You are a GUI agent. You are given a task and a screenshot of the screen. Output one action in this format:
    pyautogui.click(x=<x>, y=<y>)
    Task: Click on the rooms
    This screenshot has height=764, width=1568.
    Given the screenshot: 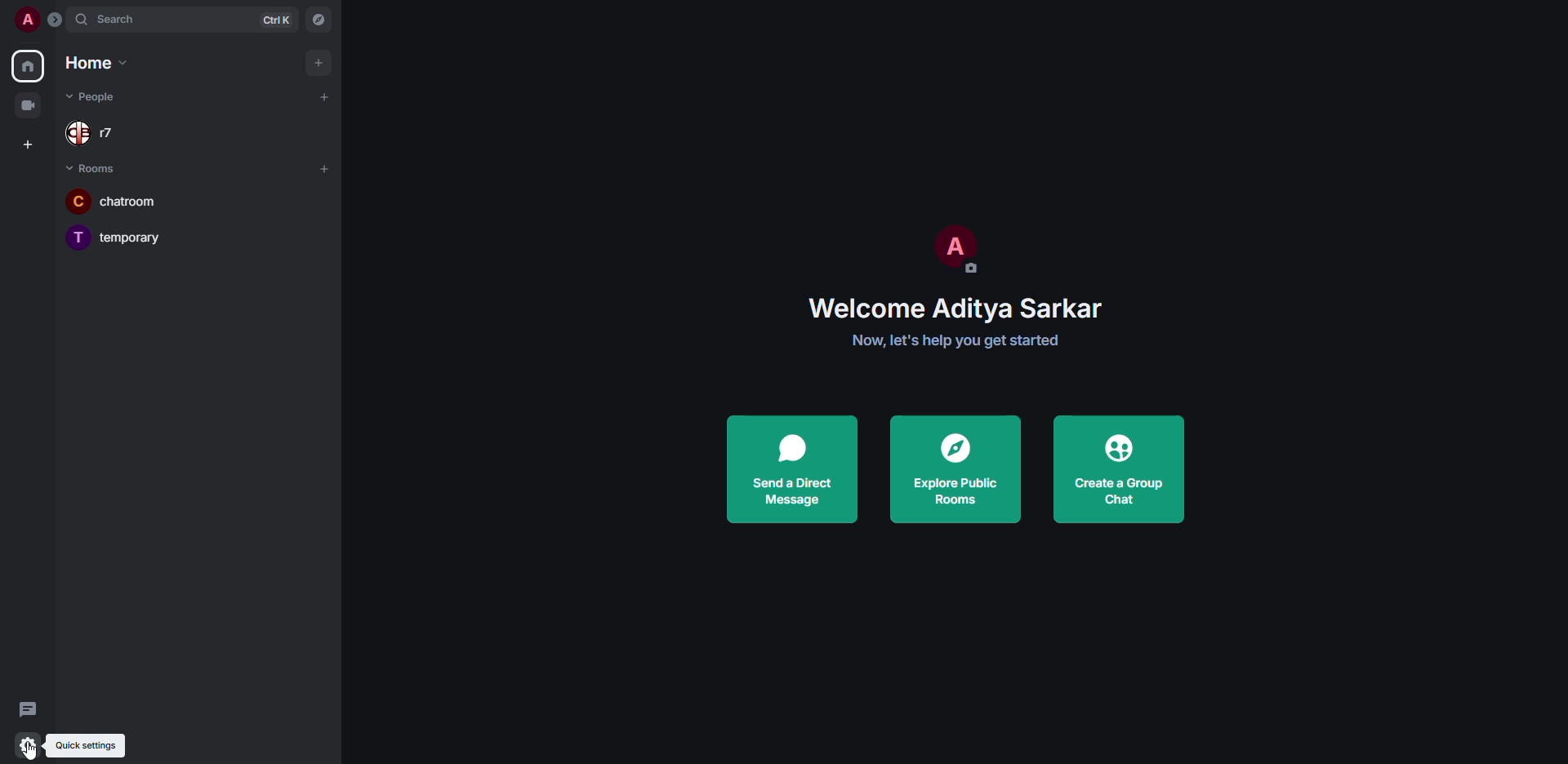 What is the action you would take?
    pyautogui.click(x=95, y=167)
    